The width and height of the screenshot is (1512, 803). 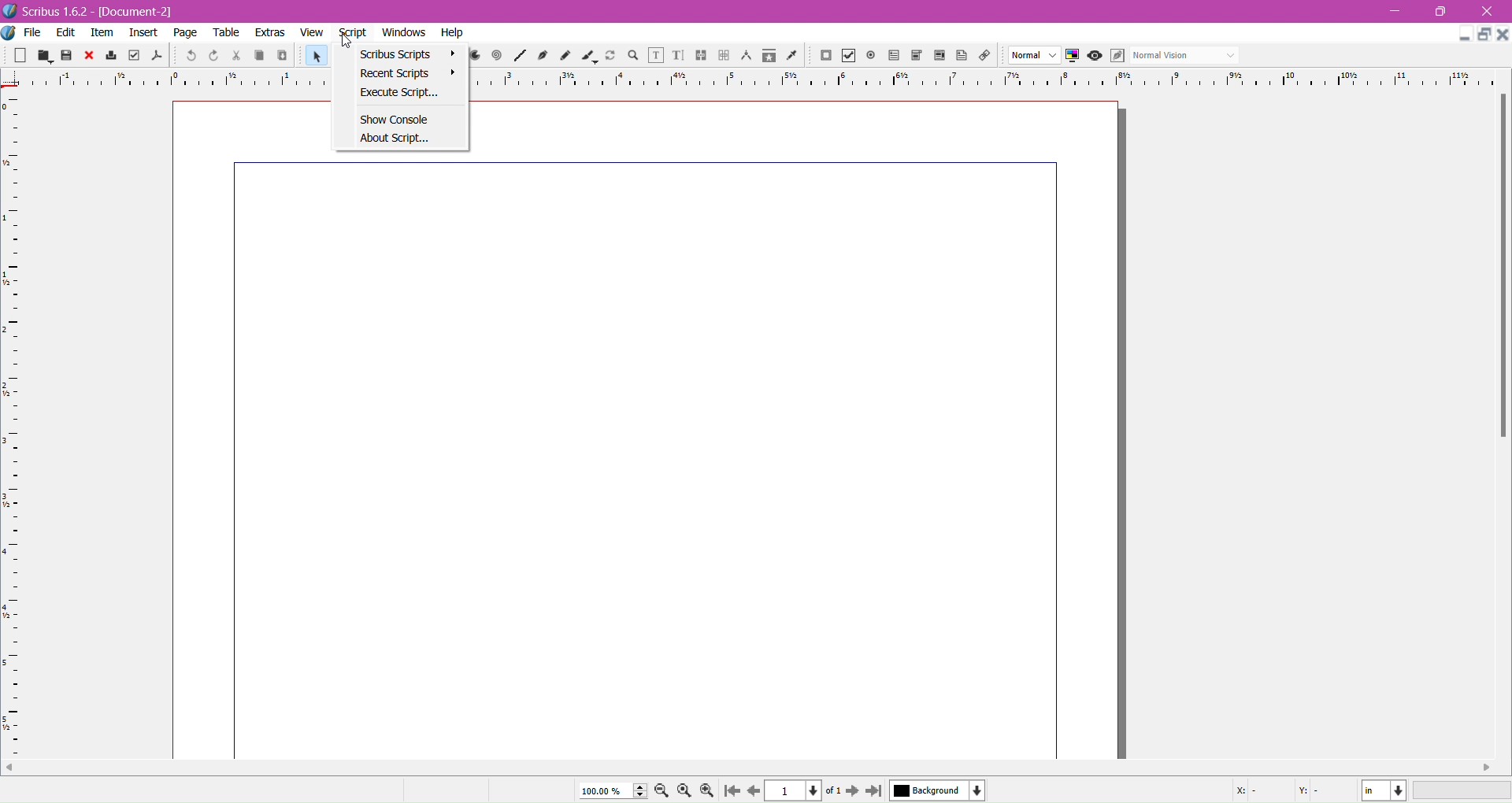 What do you see at coordinates (134, 56) in the screenshot?
I see `Preflight Verifier` at bounding box center [134, 56].